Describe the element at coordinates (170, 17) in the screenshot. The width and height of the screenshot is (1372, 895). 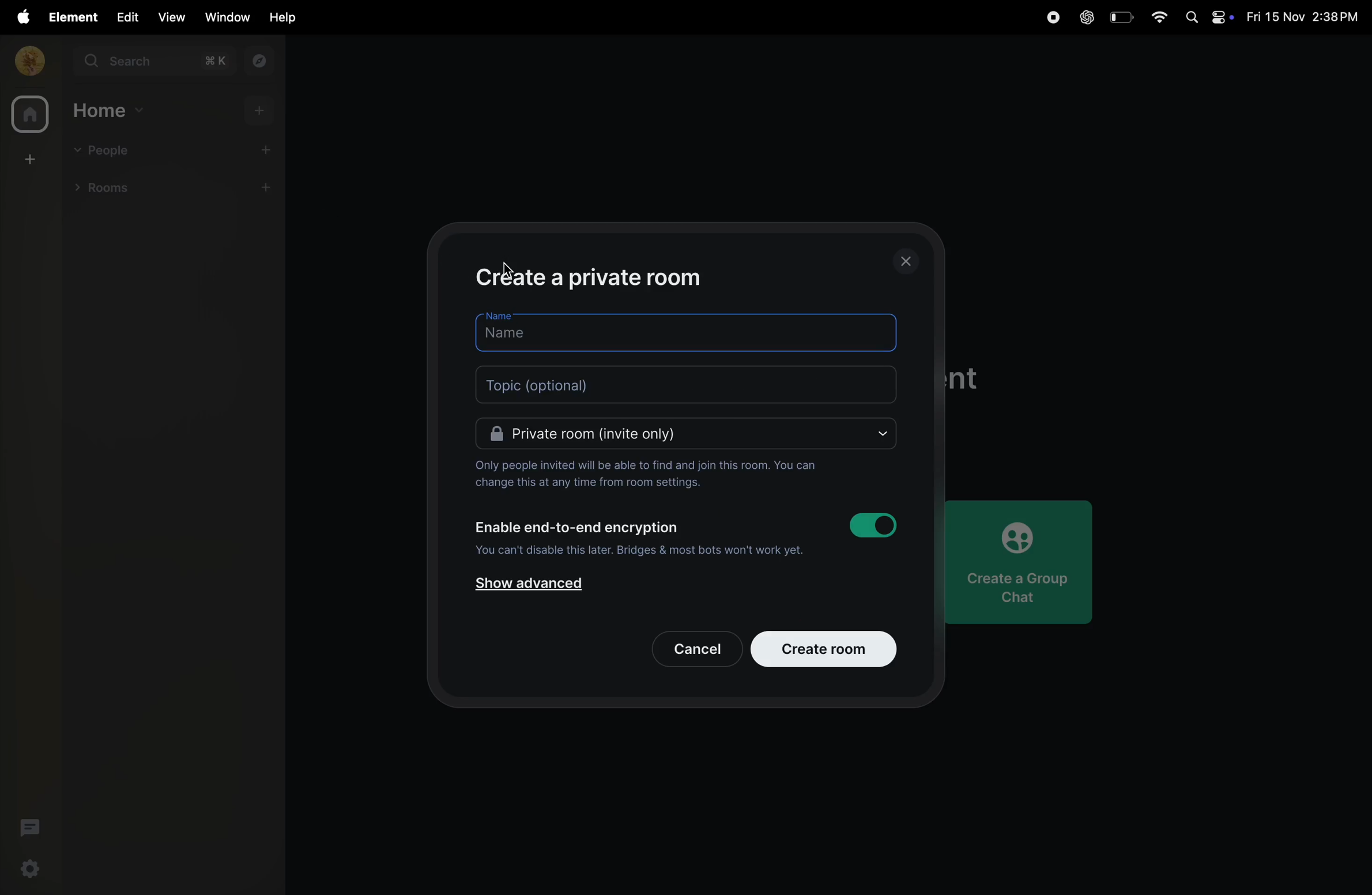
I see `view` at that location.